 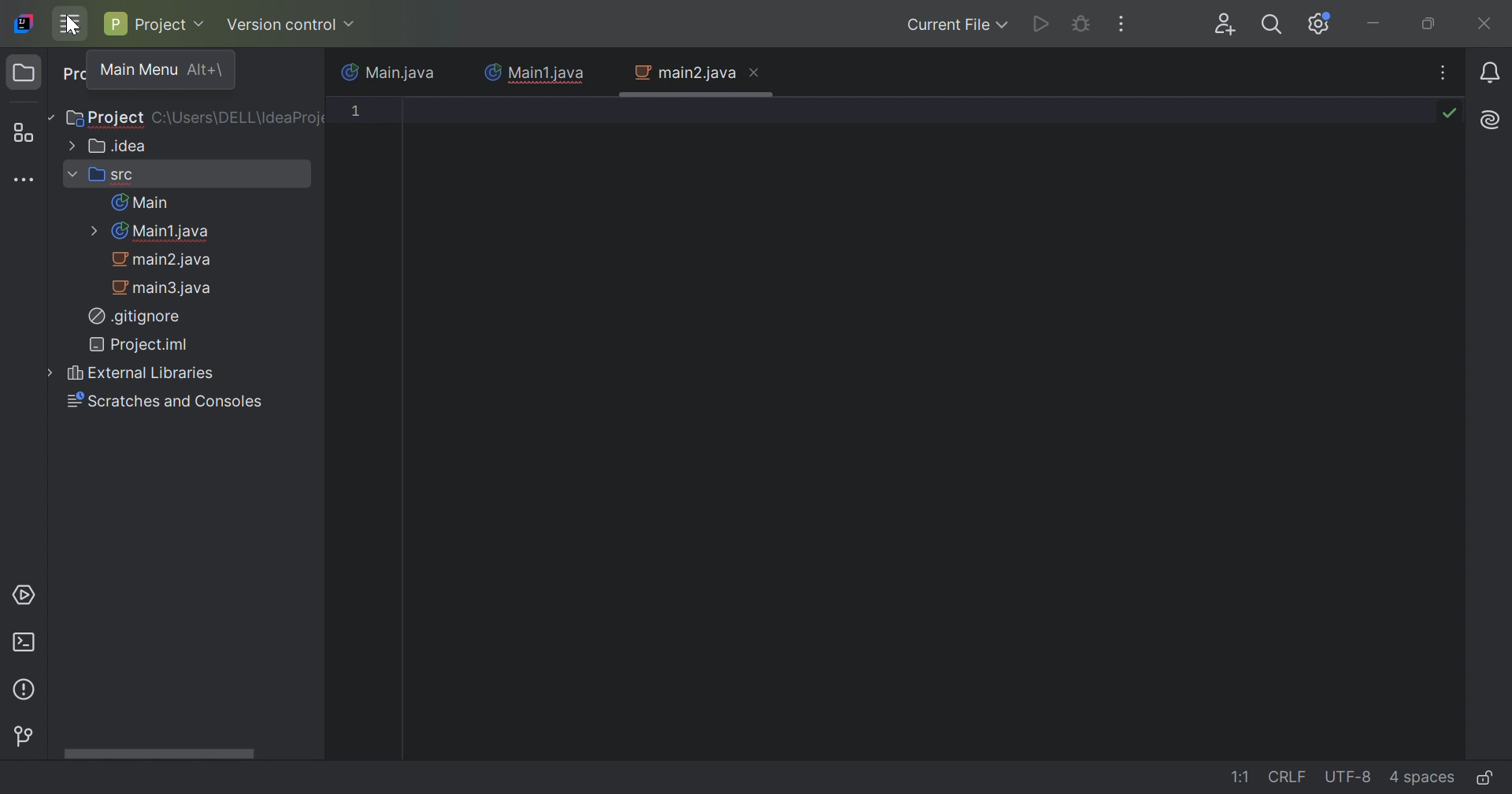 What do you see at coordinates (1444, 72) in the screenshot?
I see `Recent File, tab Actions, and More` at bounding box center [1444, 72].